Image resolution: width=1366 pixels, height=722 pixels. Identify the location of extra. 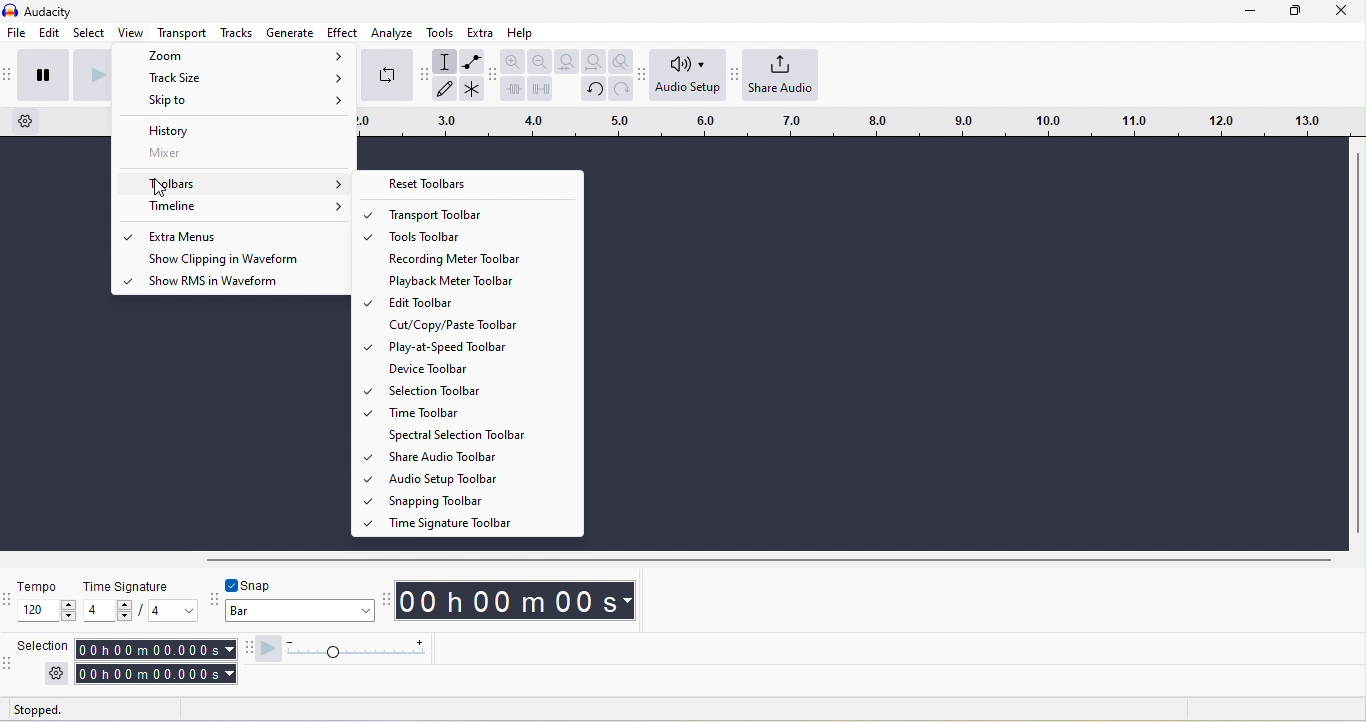
(480, 32).